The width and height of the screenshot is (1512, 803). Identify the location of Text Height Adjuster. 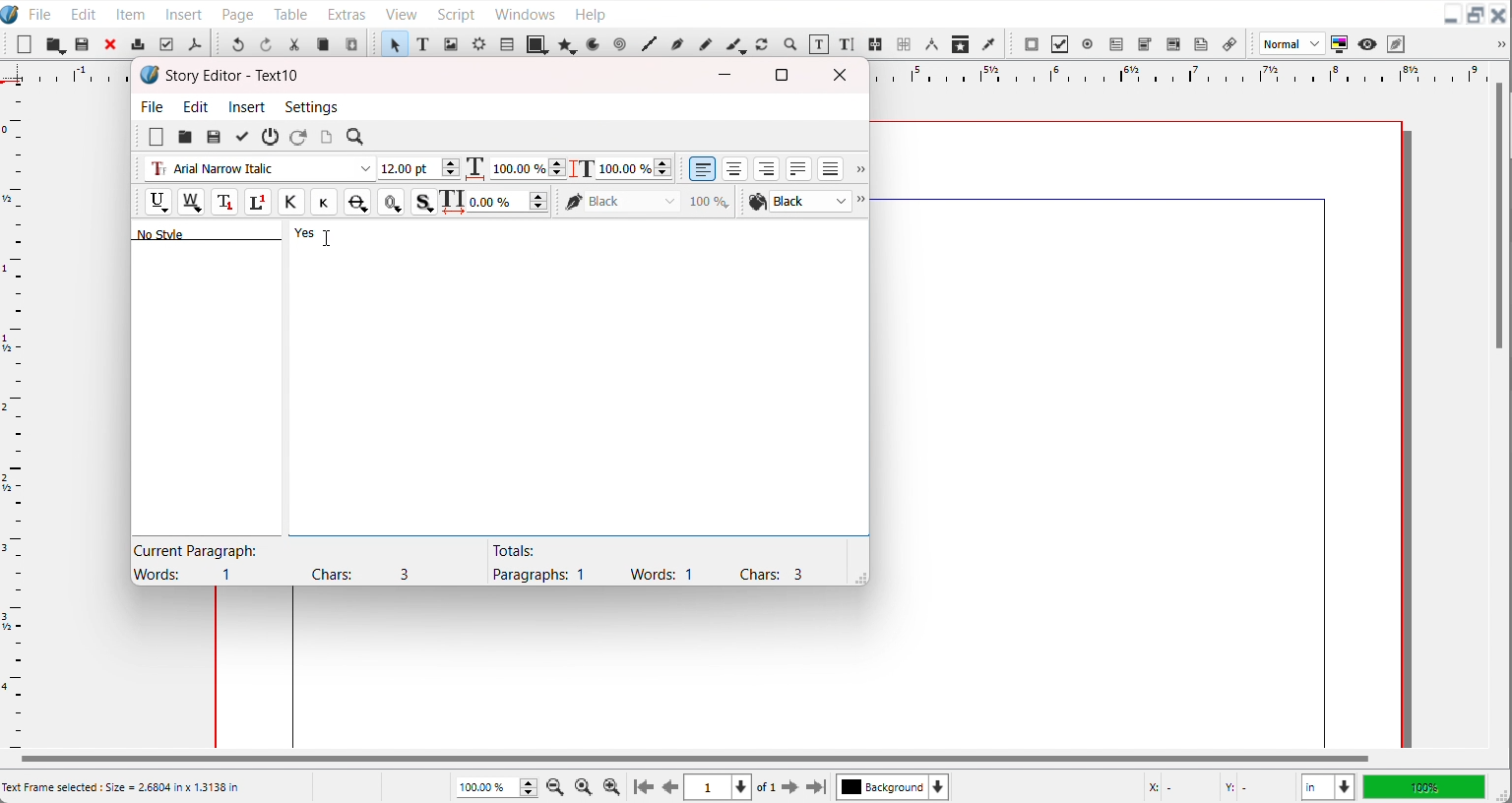
(634, 168).